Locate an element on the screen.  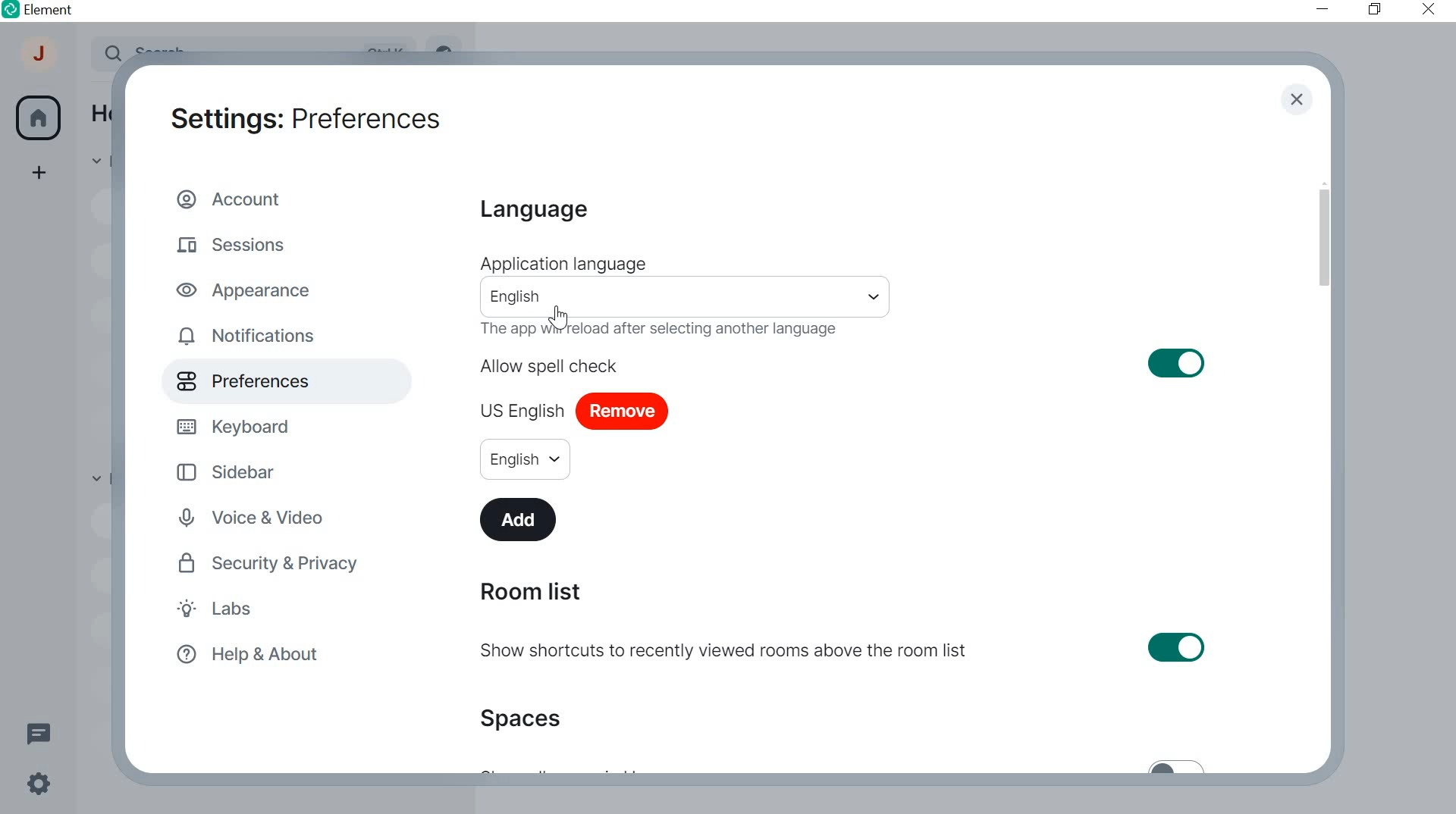
CURSOR is located at coordinates (560, 318).